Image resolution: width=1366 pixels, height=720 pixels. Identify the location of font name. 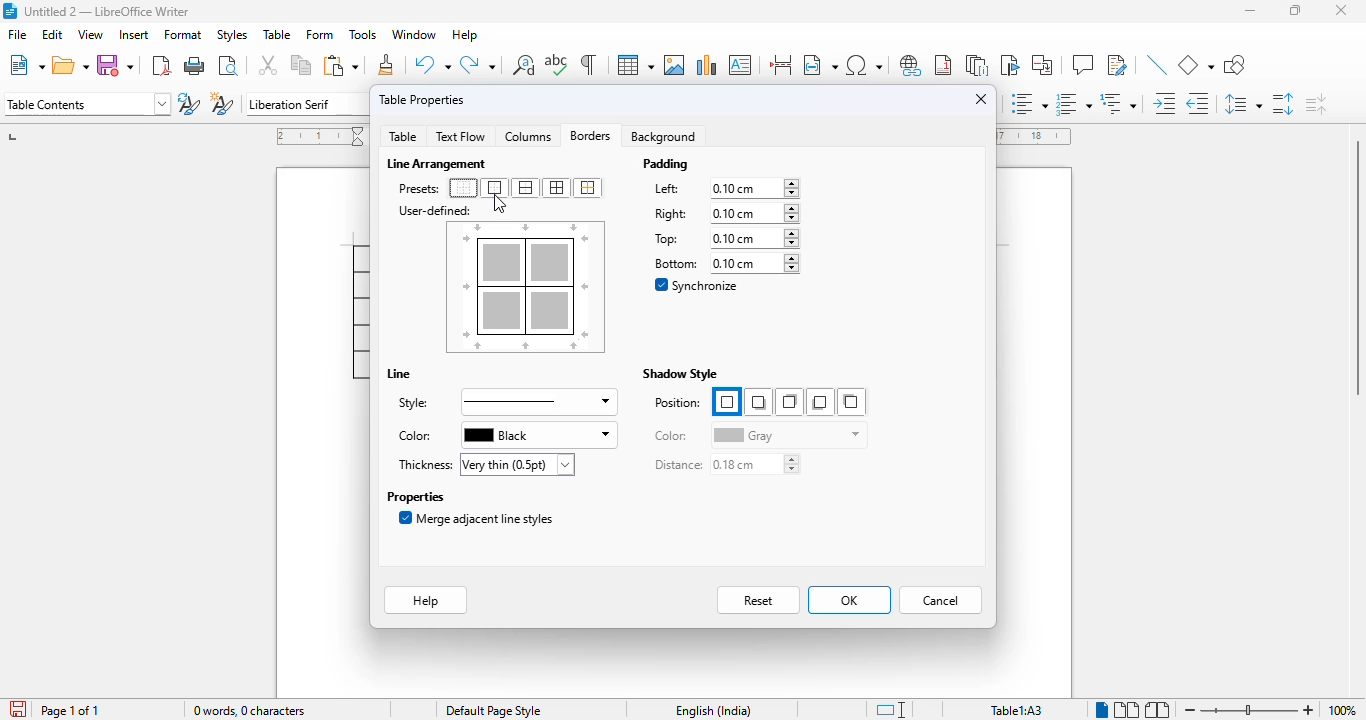
(306, 105).